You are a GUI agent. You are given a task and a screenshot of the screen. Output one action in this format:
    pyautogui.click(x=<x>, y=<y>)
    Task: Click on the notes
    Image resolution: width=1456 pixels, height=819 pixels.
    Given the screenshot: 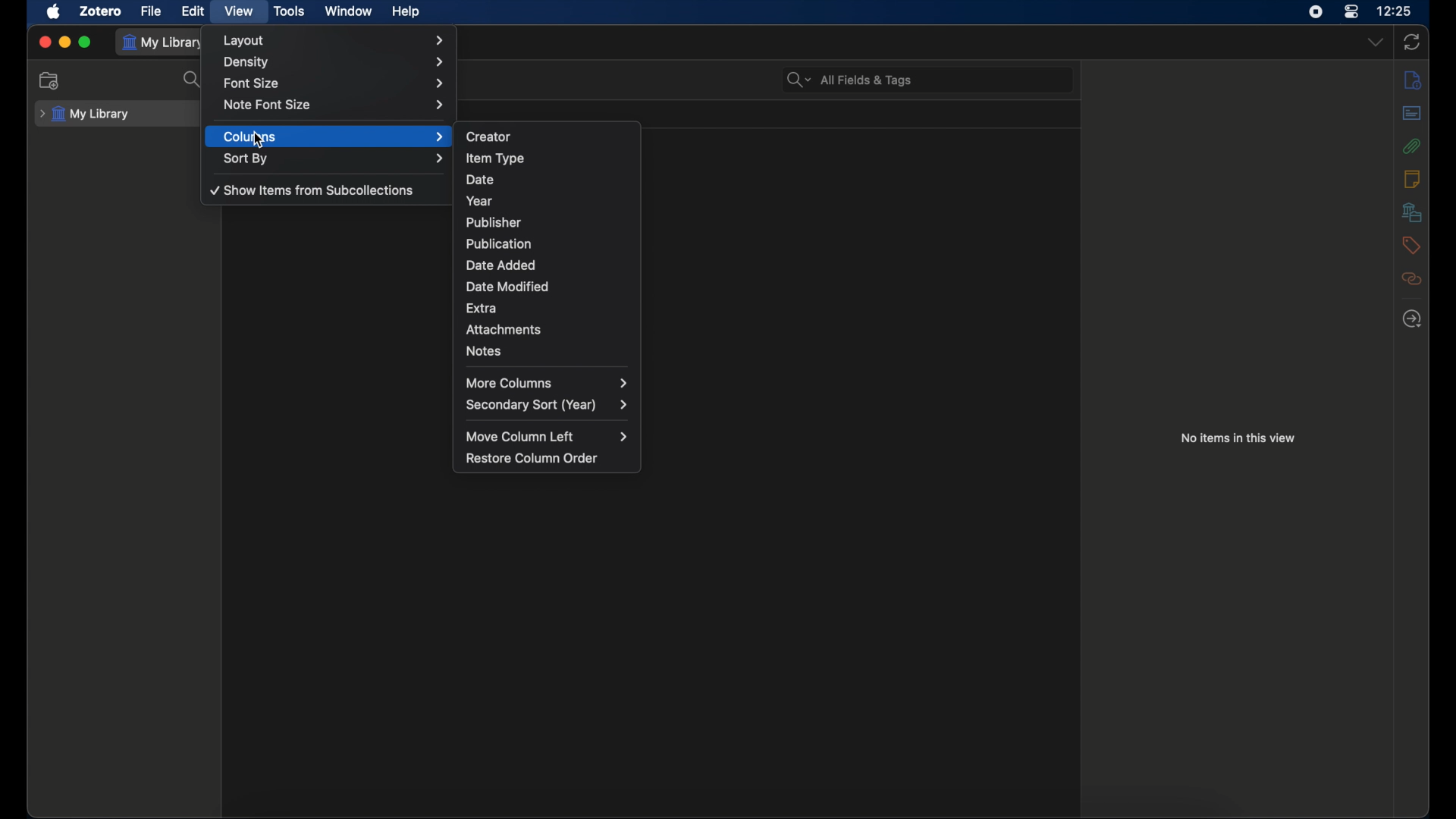 What is the action you would take?
    pyautogui.click(x=1414, y=179)
    